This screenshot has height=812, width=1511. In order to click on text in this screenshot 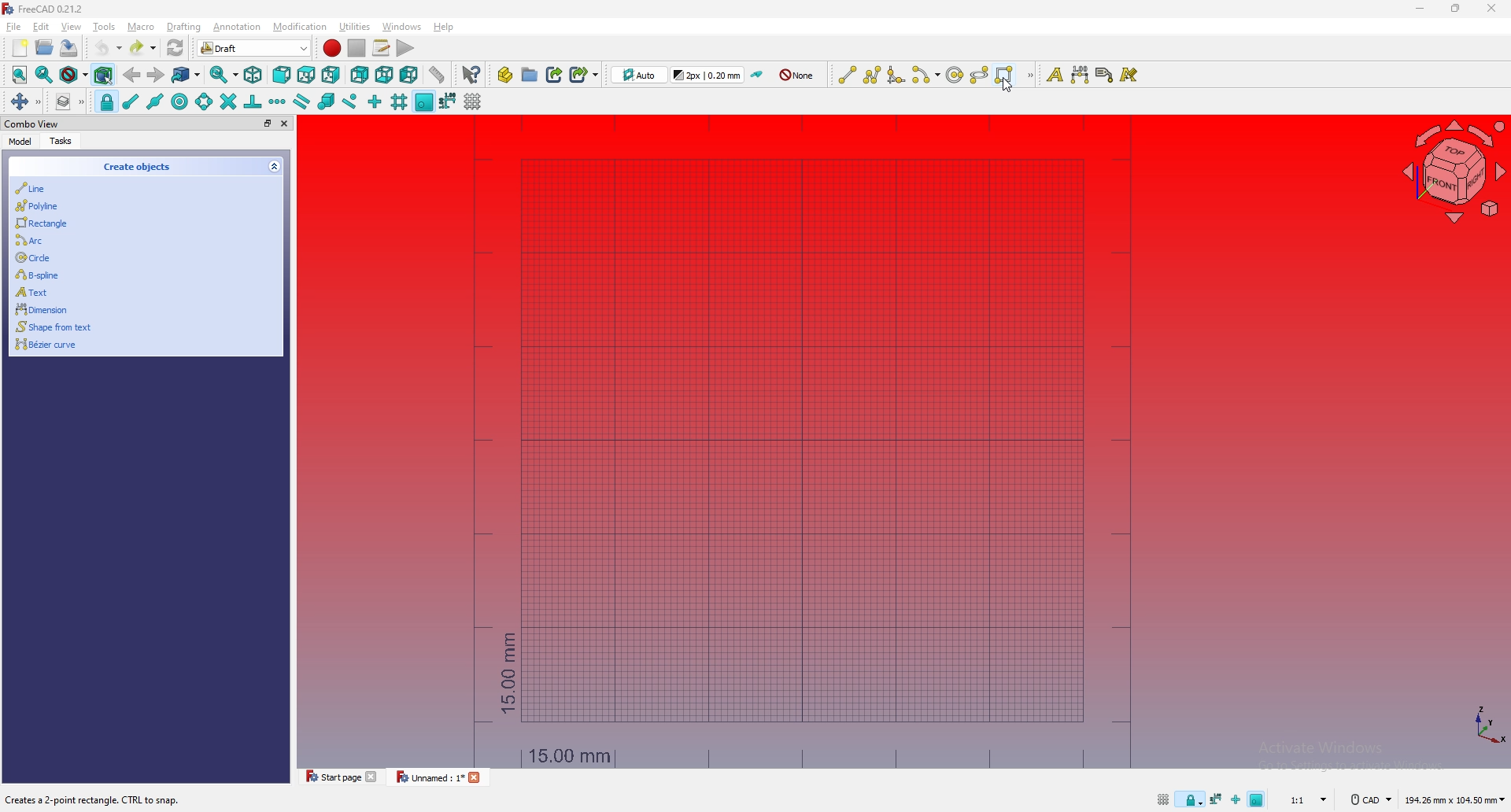, I will do `click(138, 291)`.